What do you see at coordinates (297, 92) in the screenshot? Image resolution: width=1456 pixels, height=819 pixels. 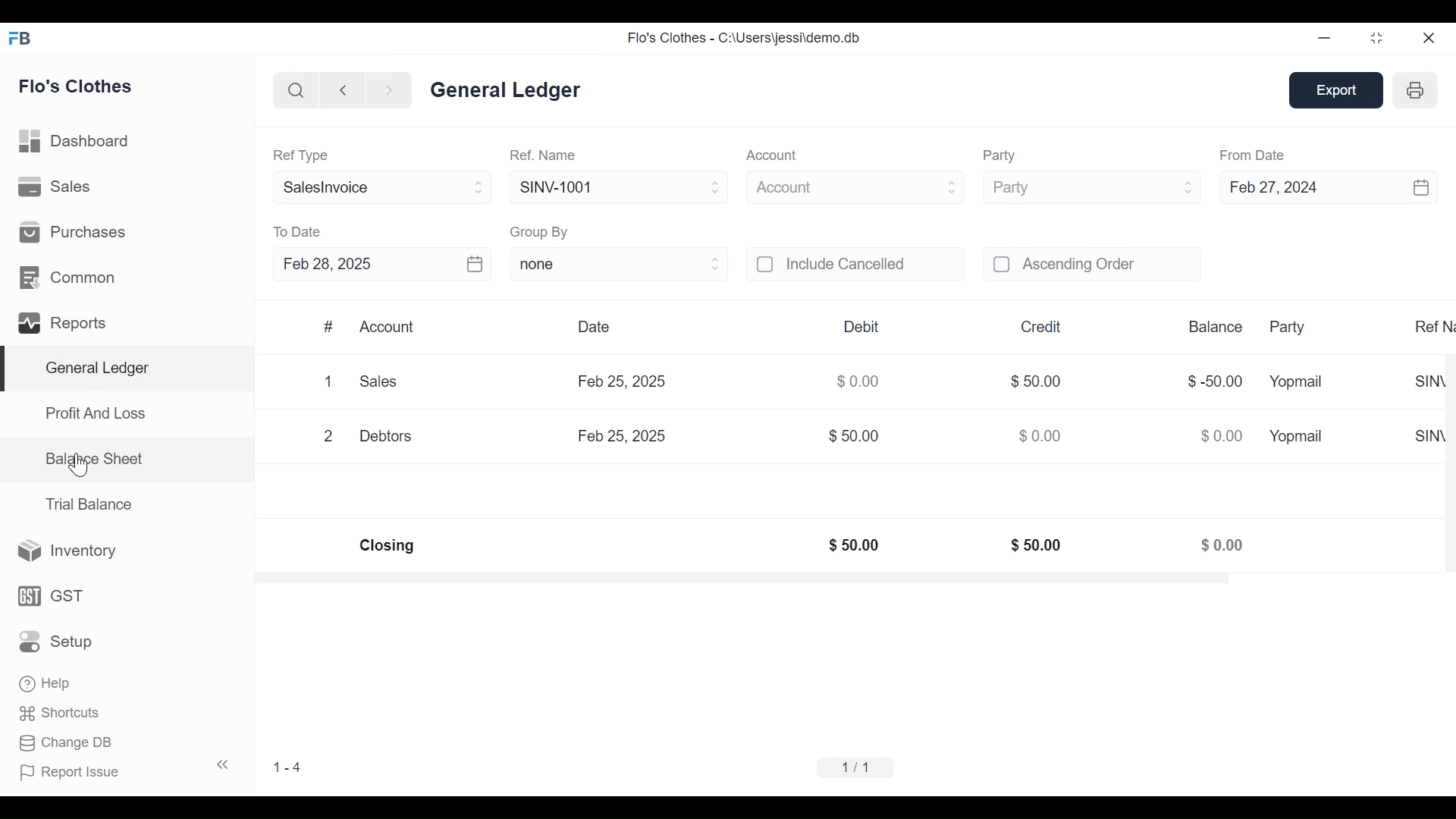 I see `search` at bounding box center [297, 92].